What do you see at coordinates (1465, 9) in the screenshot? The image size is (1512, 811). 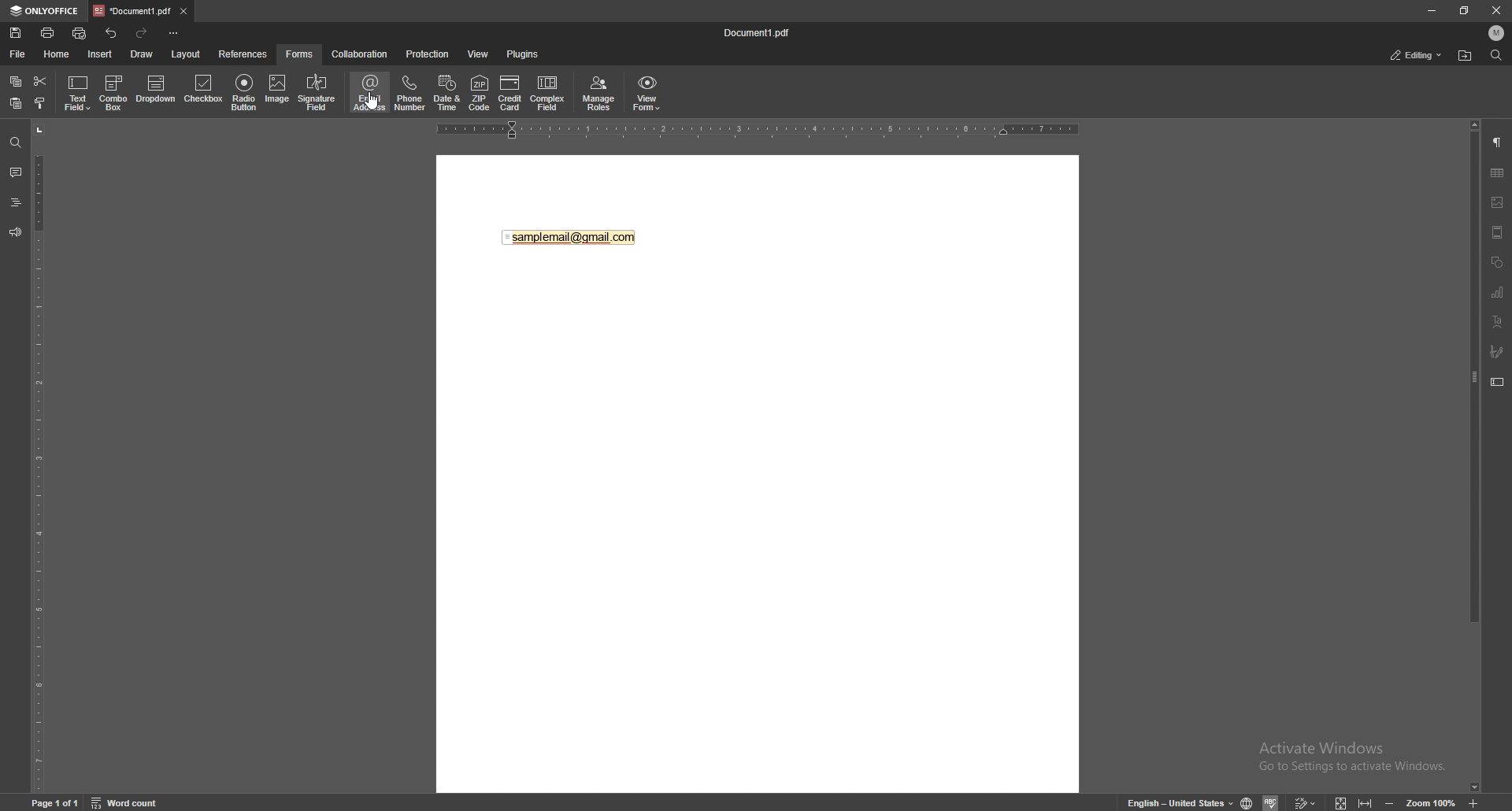 I see `resize` at bounding box center [1465, 9].